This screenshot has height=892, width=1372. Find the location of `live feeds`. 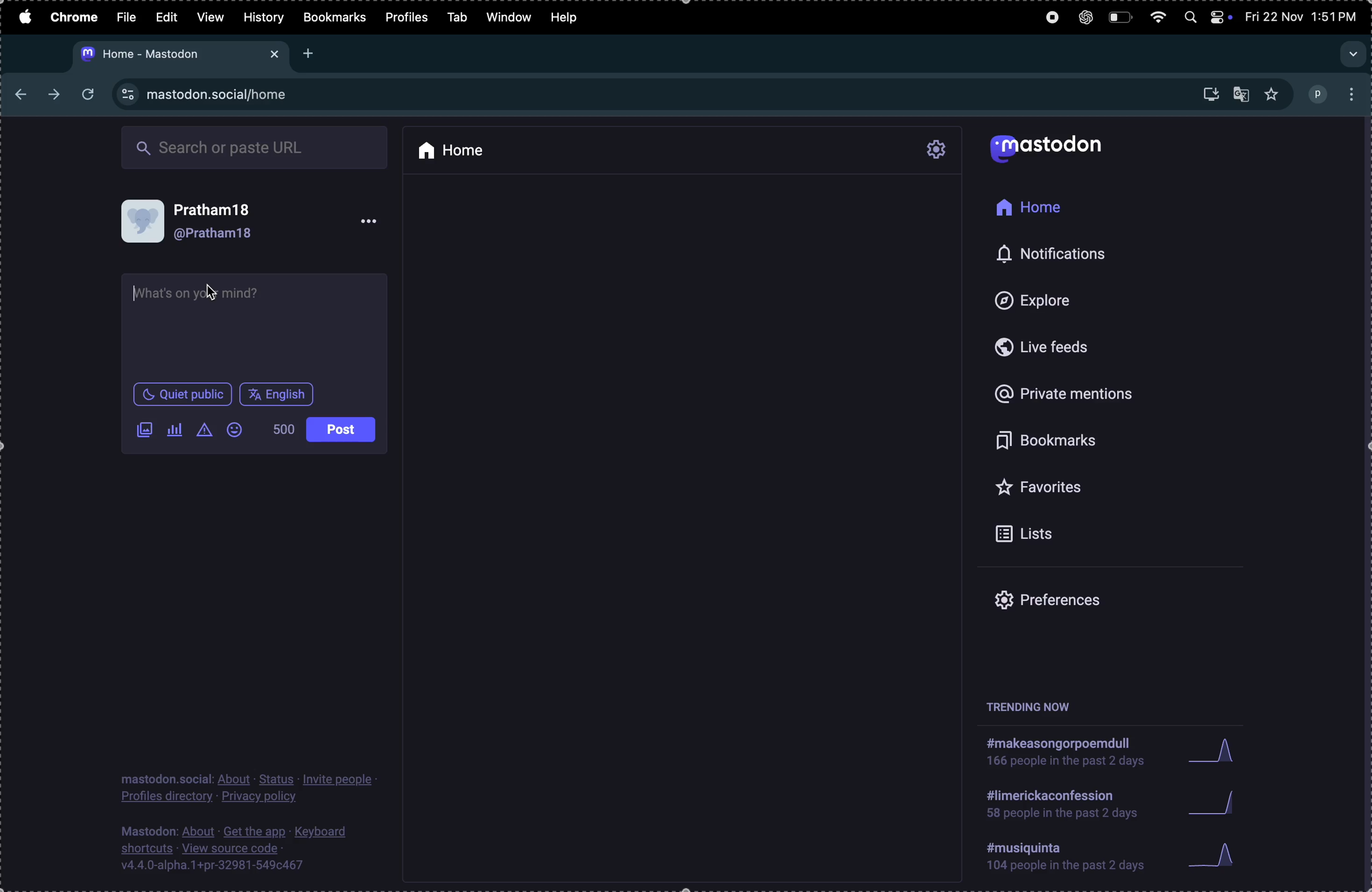

live feeds is located at coordinates (1058, 344).